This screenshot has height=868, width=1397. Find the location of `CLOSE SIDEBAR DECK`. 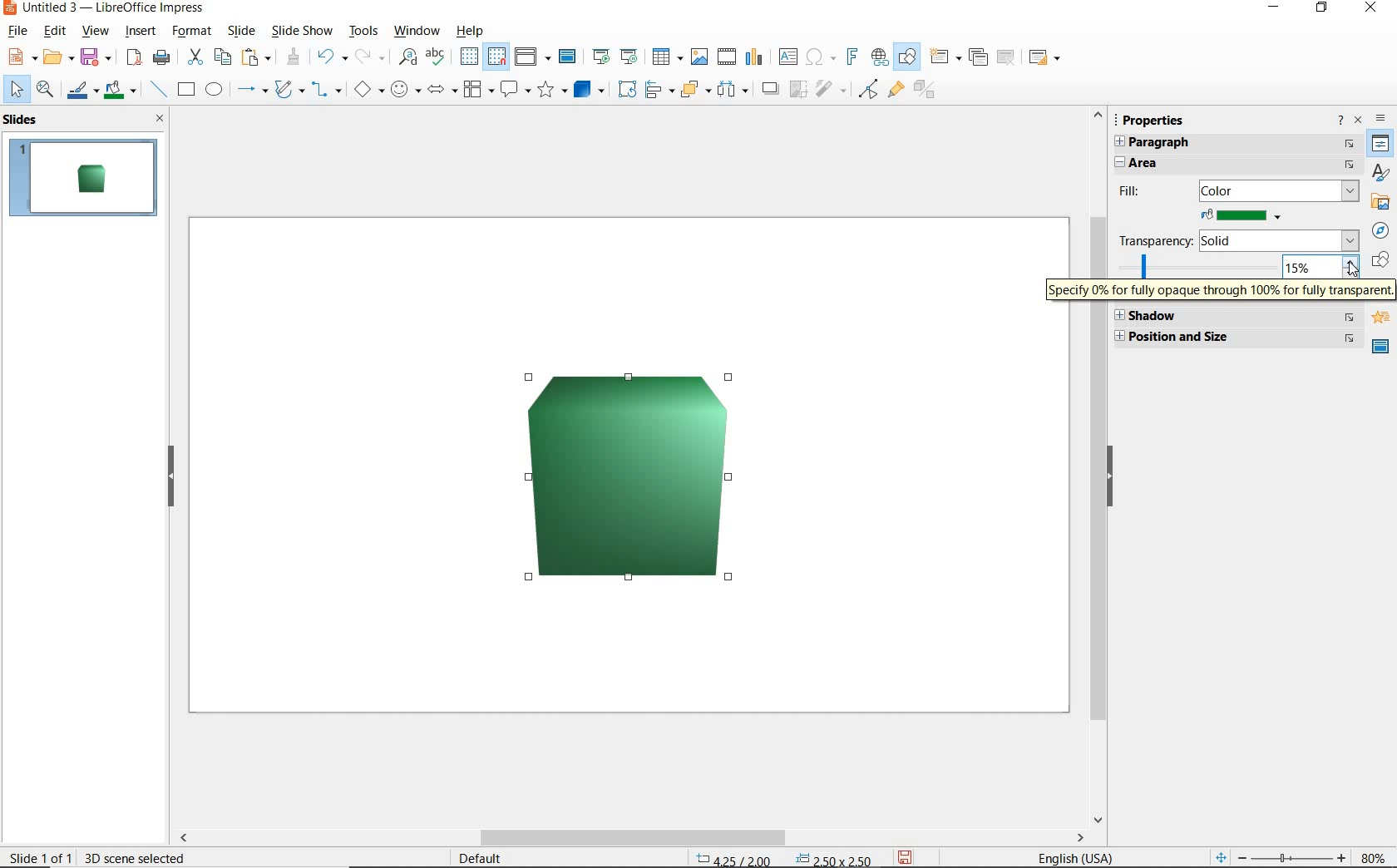

CLOSE SIDEBAR DECK is located at coordinates (1358, 121).